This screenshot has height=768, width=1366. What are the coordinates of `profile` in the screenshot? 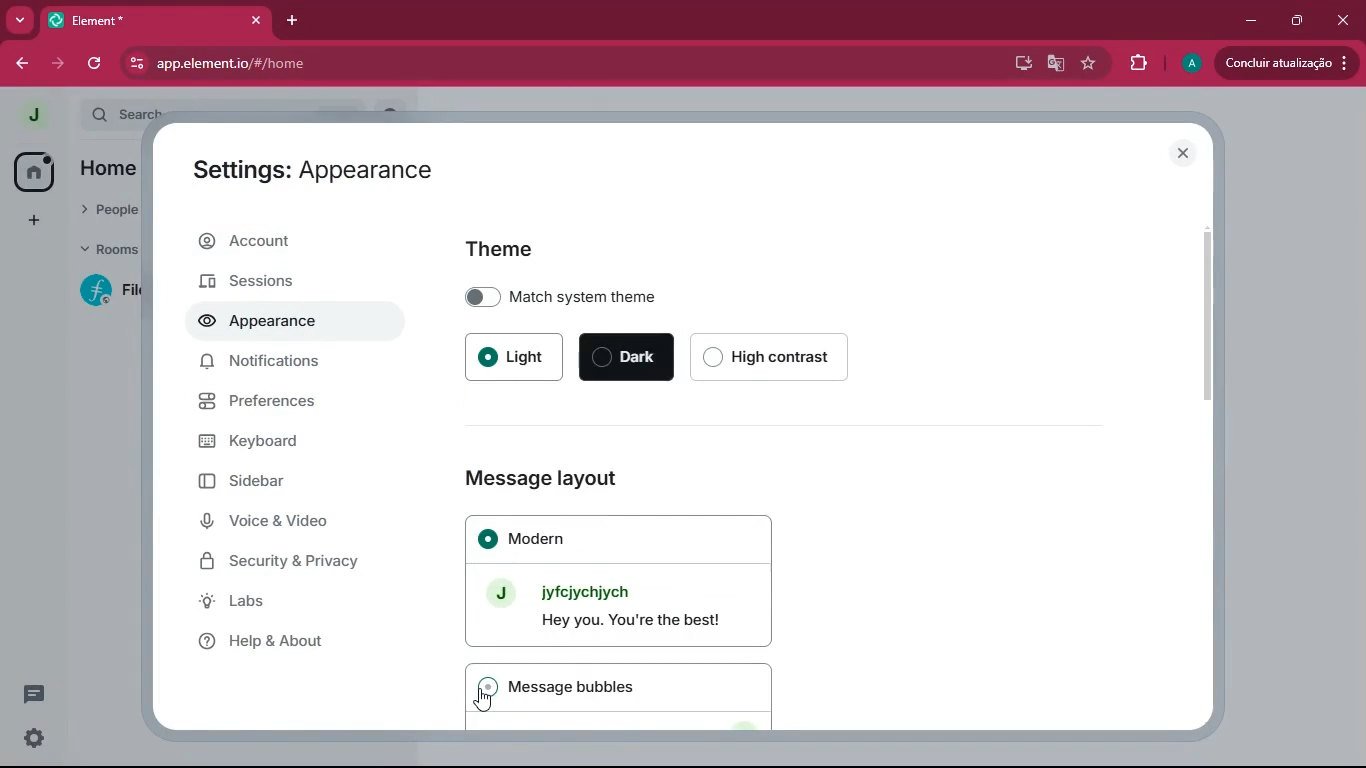 It's located at (1190, 64).